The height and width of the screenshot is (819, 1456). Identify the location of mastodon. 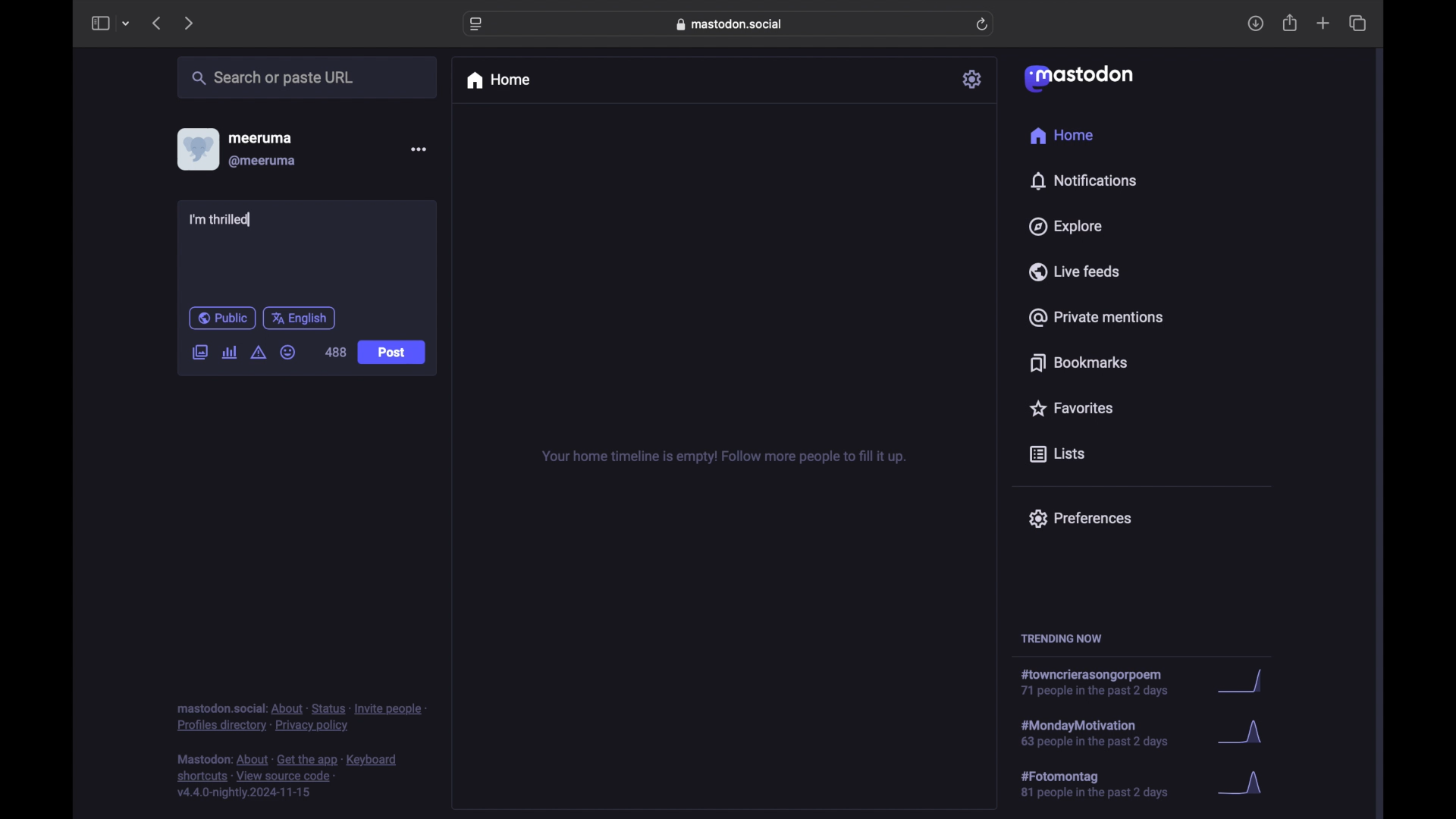
(1079, 79).